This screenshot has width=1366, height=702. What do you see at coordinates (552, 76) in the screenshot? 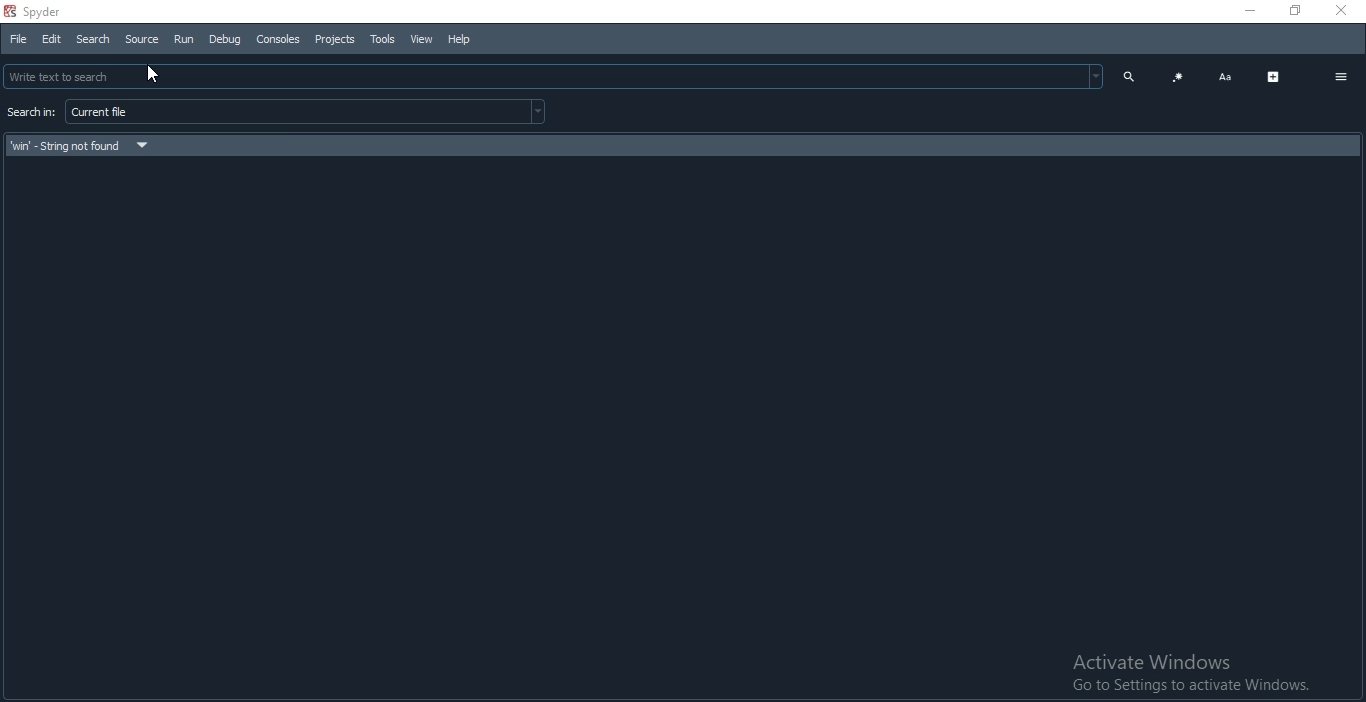
I see `search` at bounding box center [552, 76].